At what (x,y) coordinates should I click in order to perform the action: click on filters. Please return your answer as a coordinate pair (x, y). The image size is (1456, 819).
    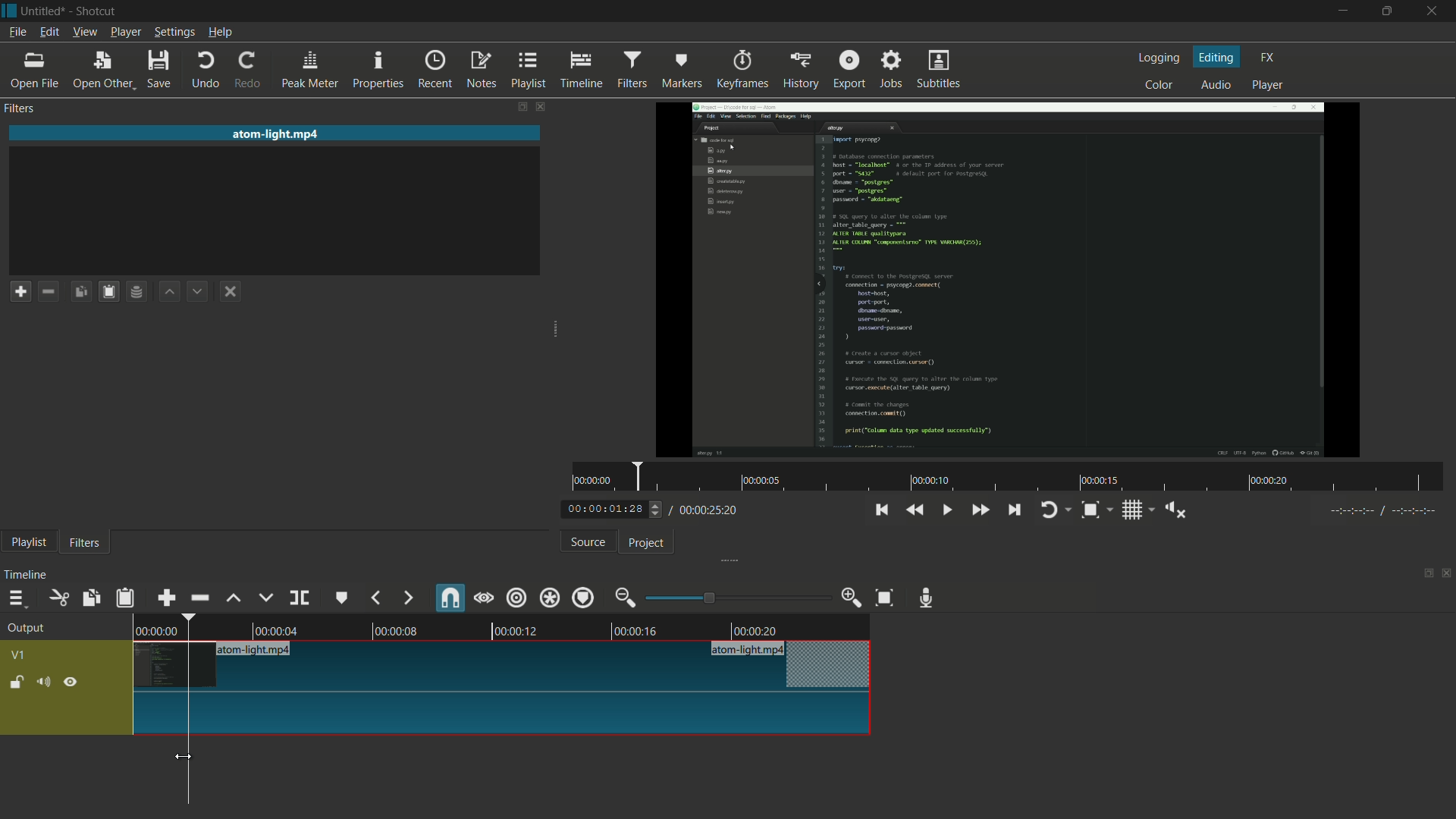
    Looking at the image, I should click on (85, 544).